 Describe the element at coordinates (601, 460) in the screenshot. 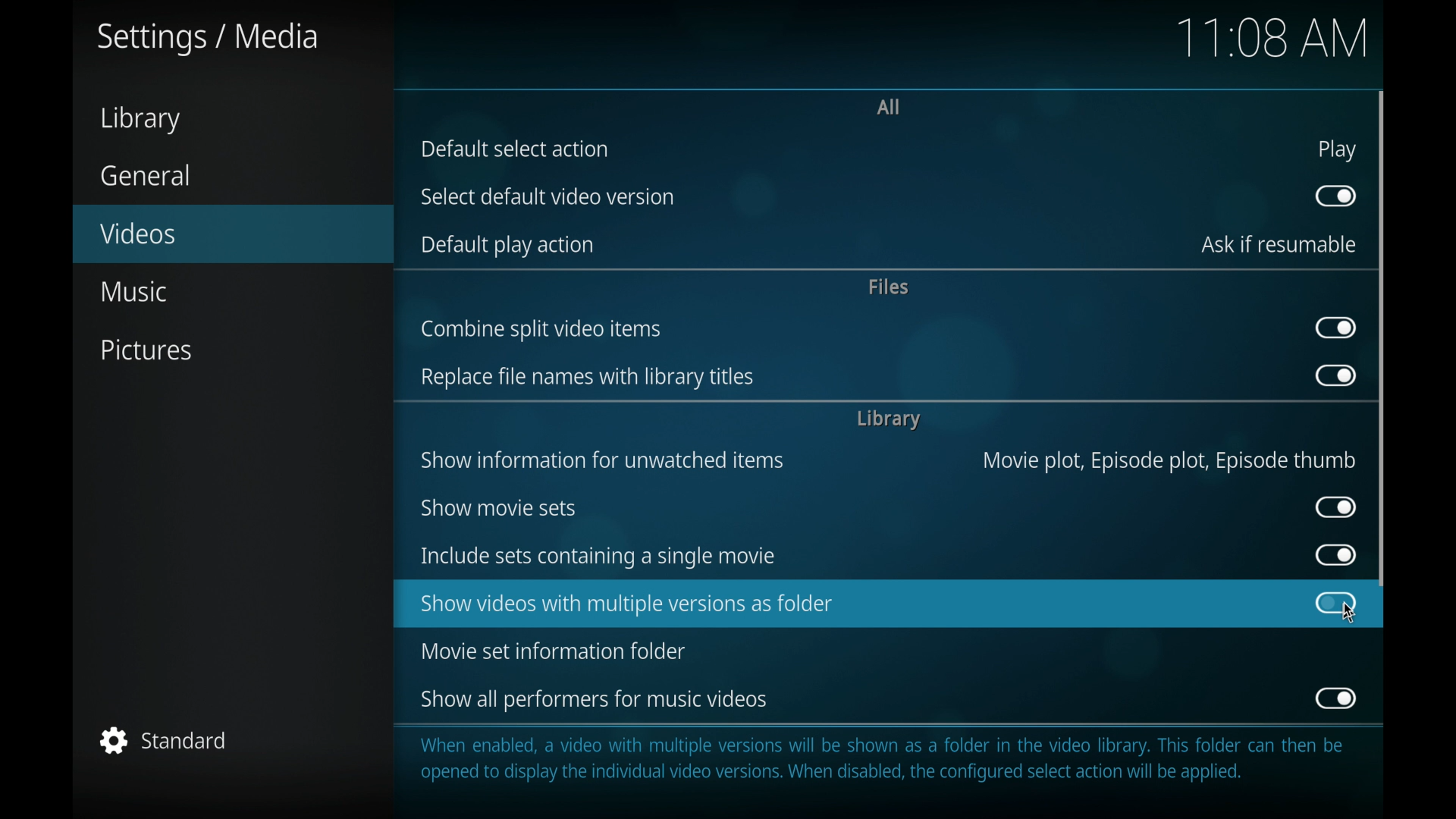

I see `show information for unwatched items` at that location.